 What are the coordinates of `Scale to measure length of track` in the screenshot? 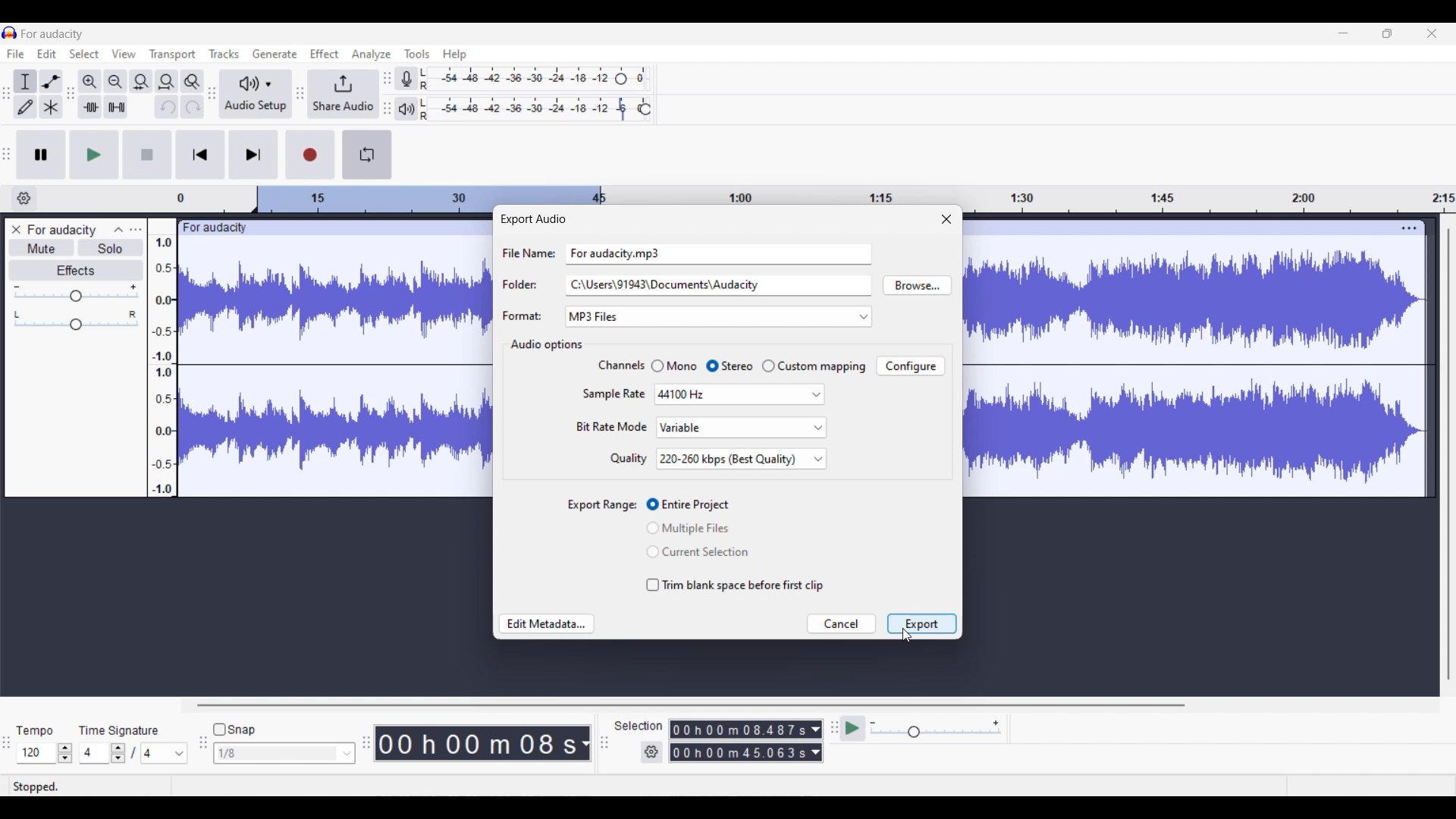 It's located at (815, 193).